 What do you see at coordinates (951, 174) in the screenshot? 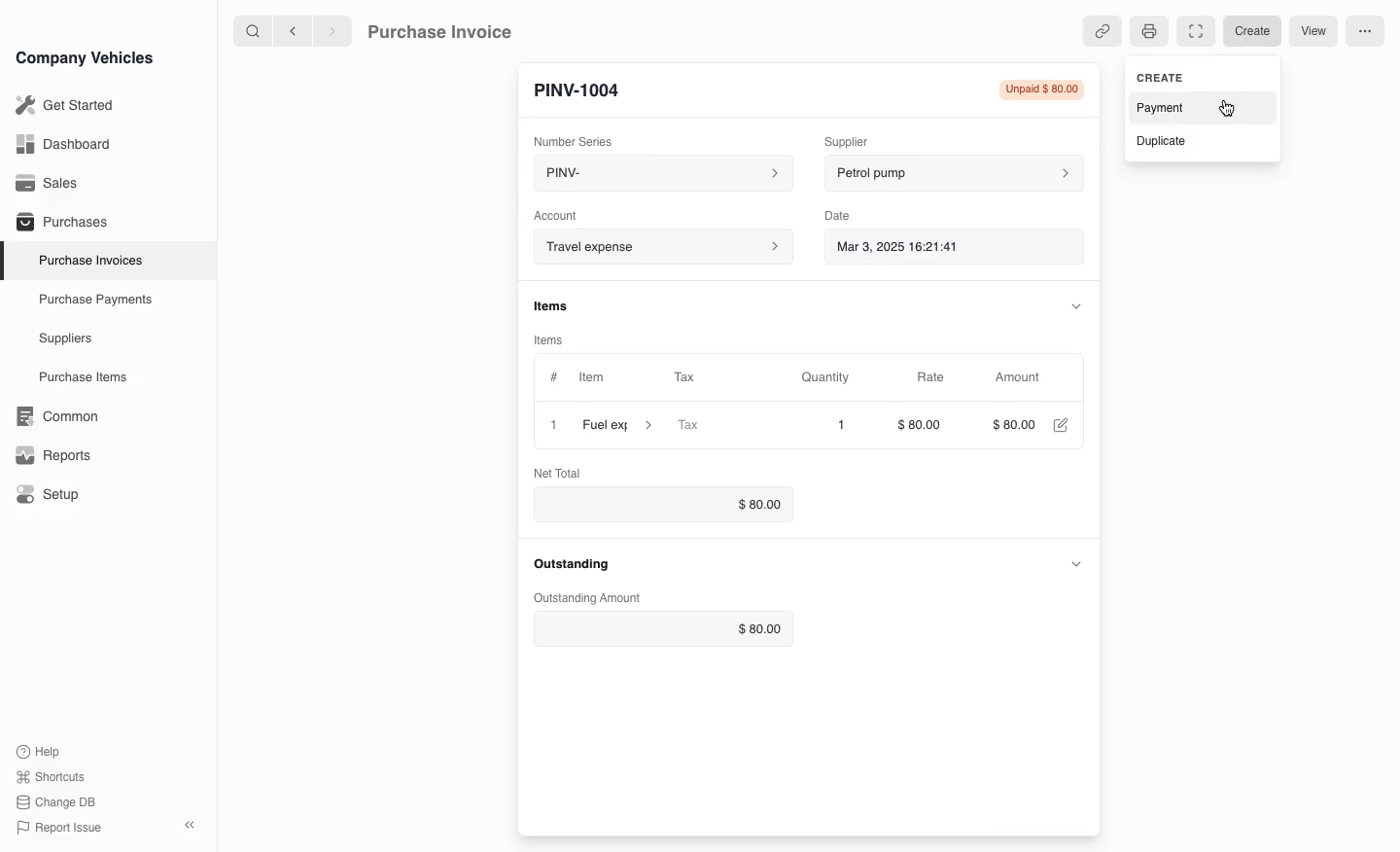
I see `petrol pump` at bounding box center [951, 174].